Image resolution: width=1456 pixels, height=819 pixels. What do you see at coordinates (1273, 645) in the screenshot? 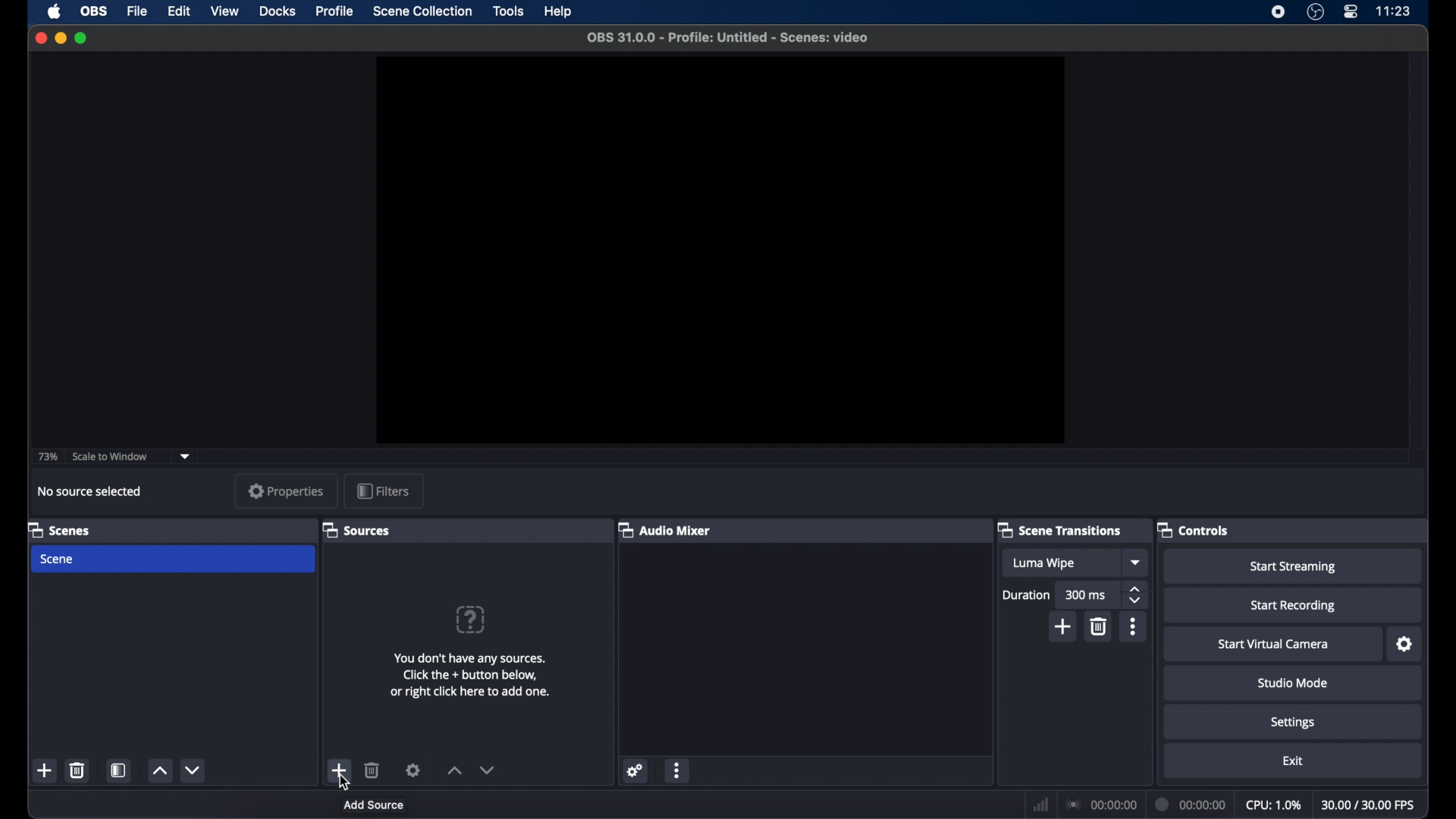
I see `start virtual camera` at bounding box center [1273, 645].